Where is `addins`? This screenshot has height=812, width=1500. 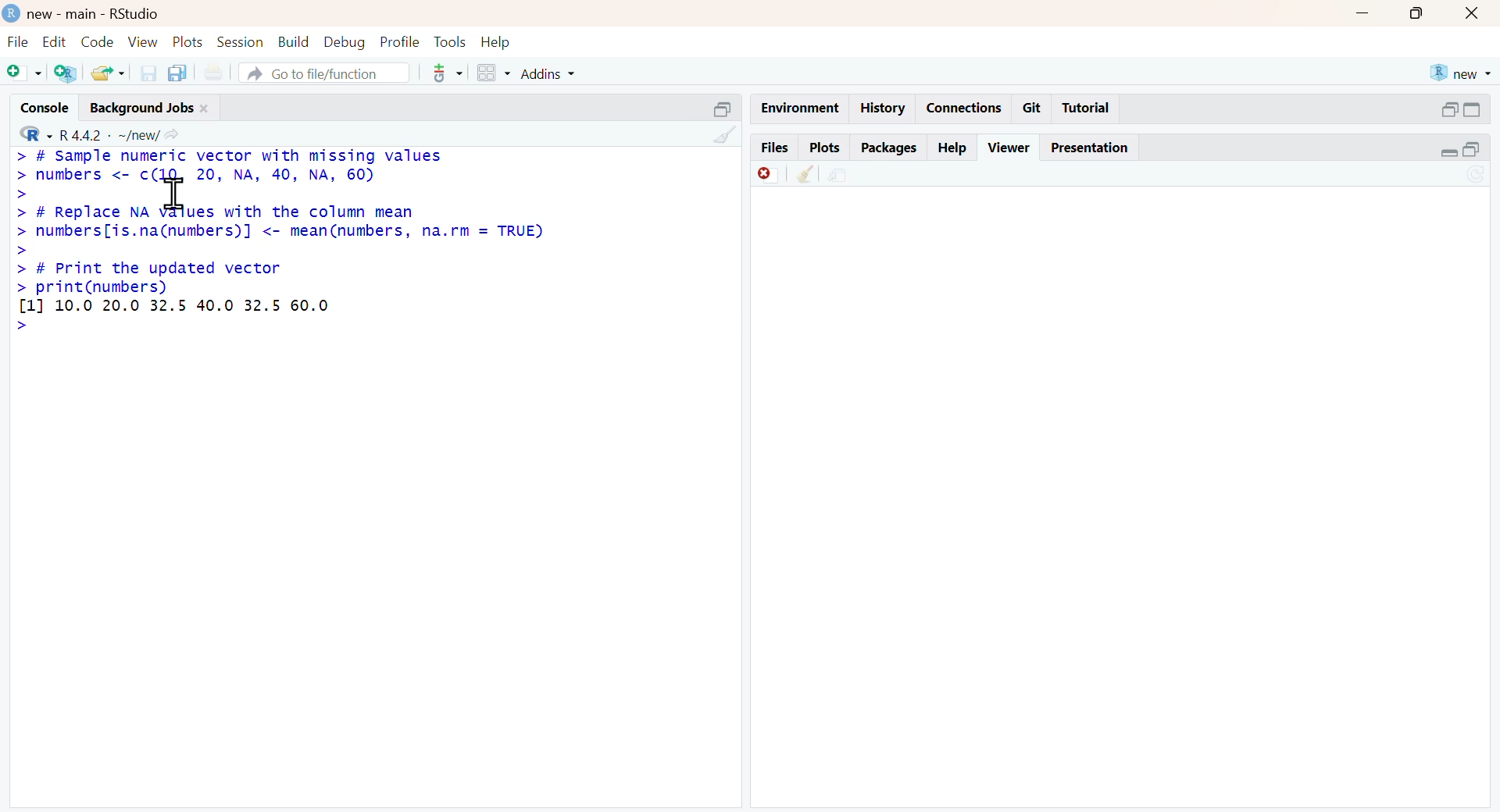
addins is located at coordinates (548, 74).